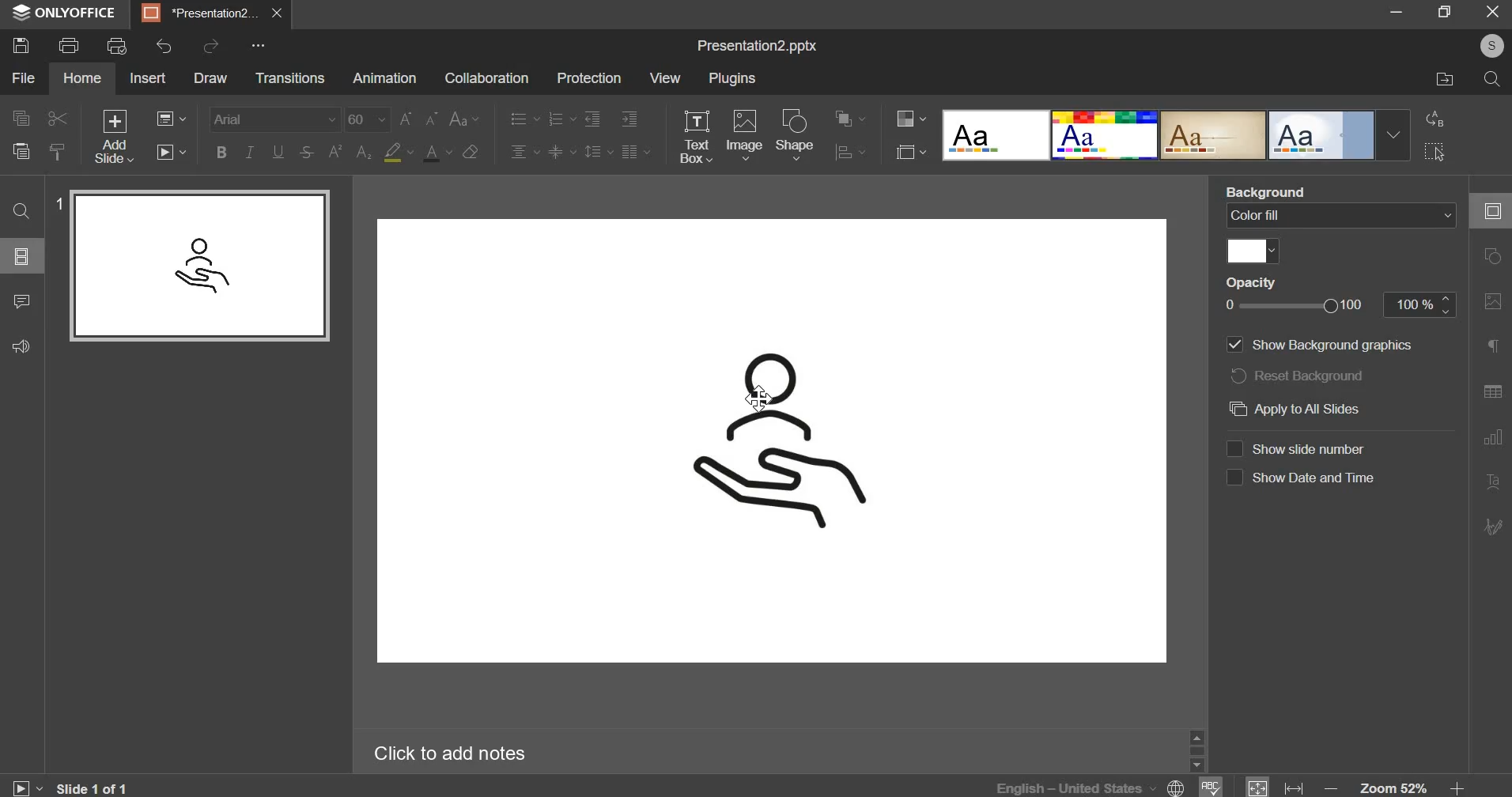 The height and width of the screenshot is (797, 1512). What do you see at coordinates (1257, 283) in the screenshot?
I see `opacity` at bounding box center [1257, 283].